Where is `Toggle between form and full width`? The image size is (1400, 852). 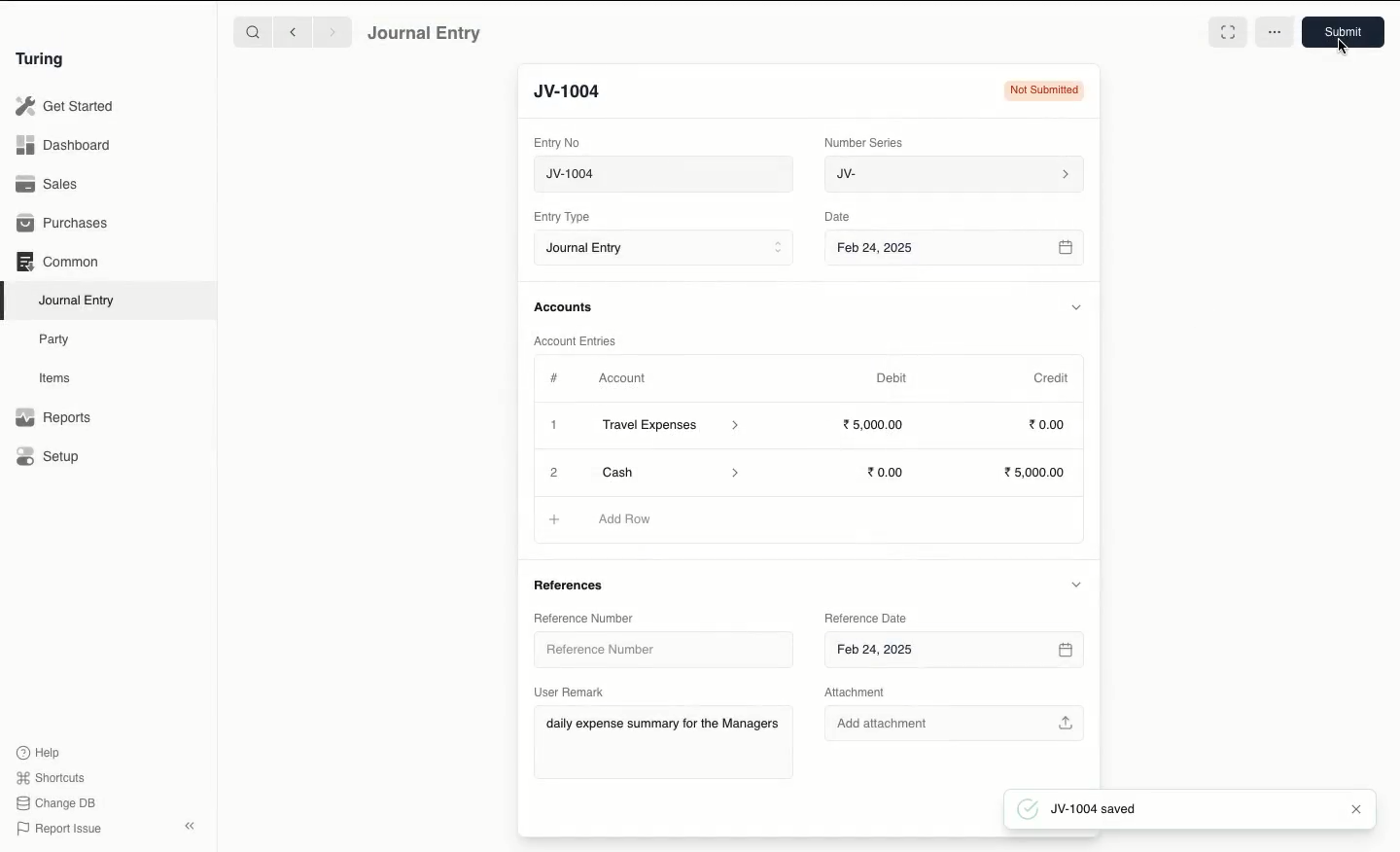 Toggle between form and full width is located at coordinates (1227, 32).